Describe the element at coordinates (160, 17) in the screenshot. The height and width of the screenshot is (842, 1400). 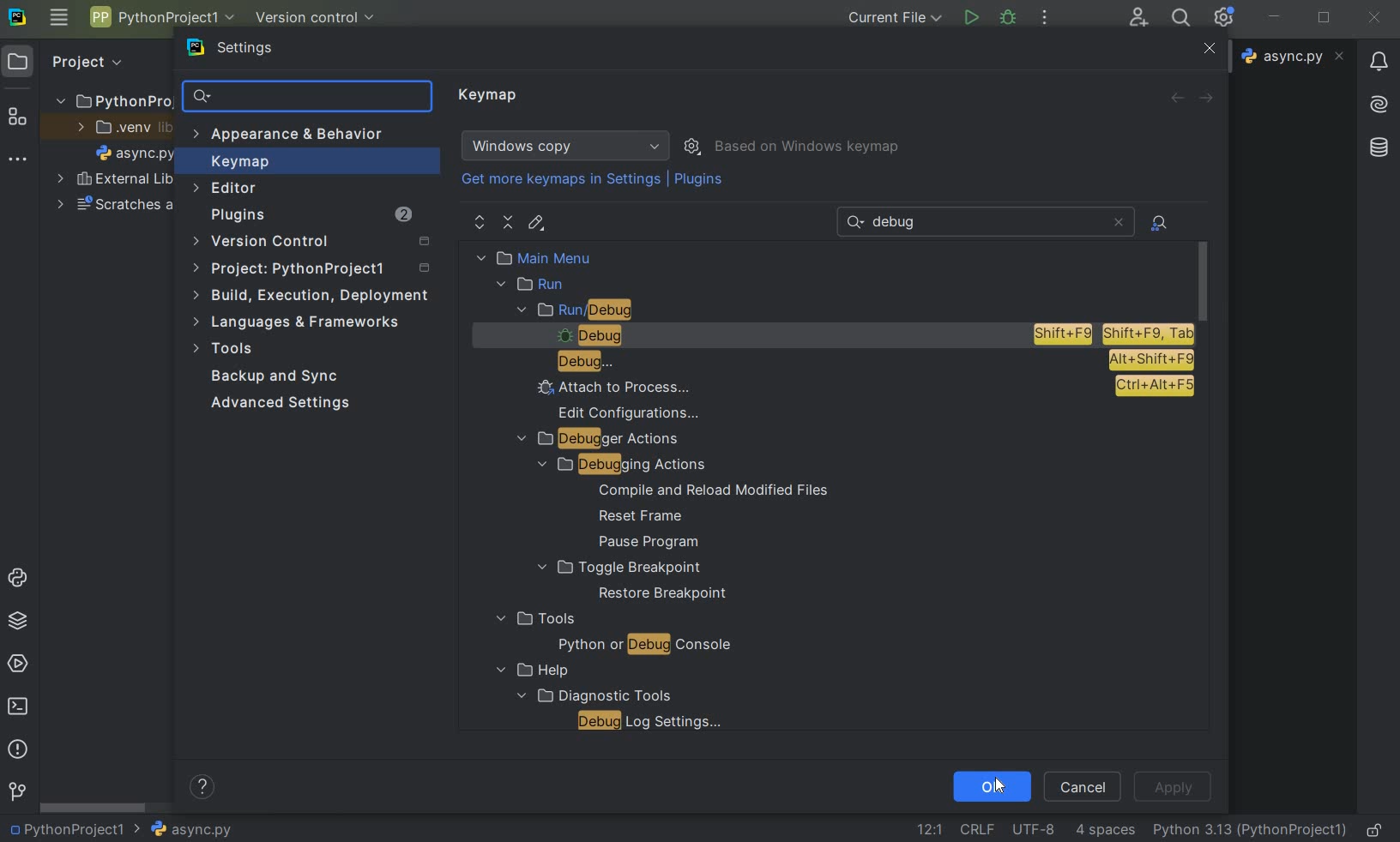
I see `project name` at that location.